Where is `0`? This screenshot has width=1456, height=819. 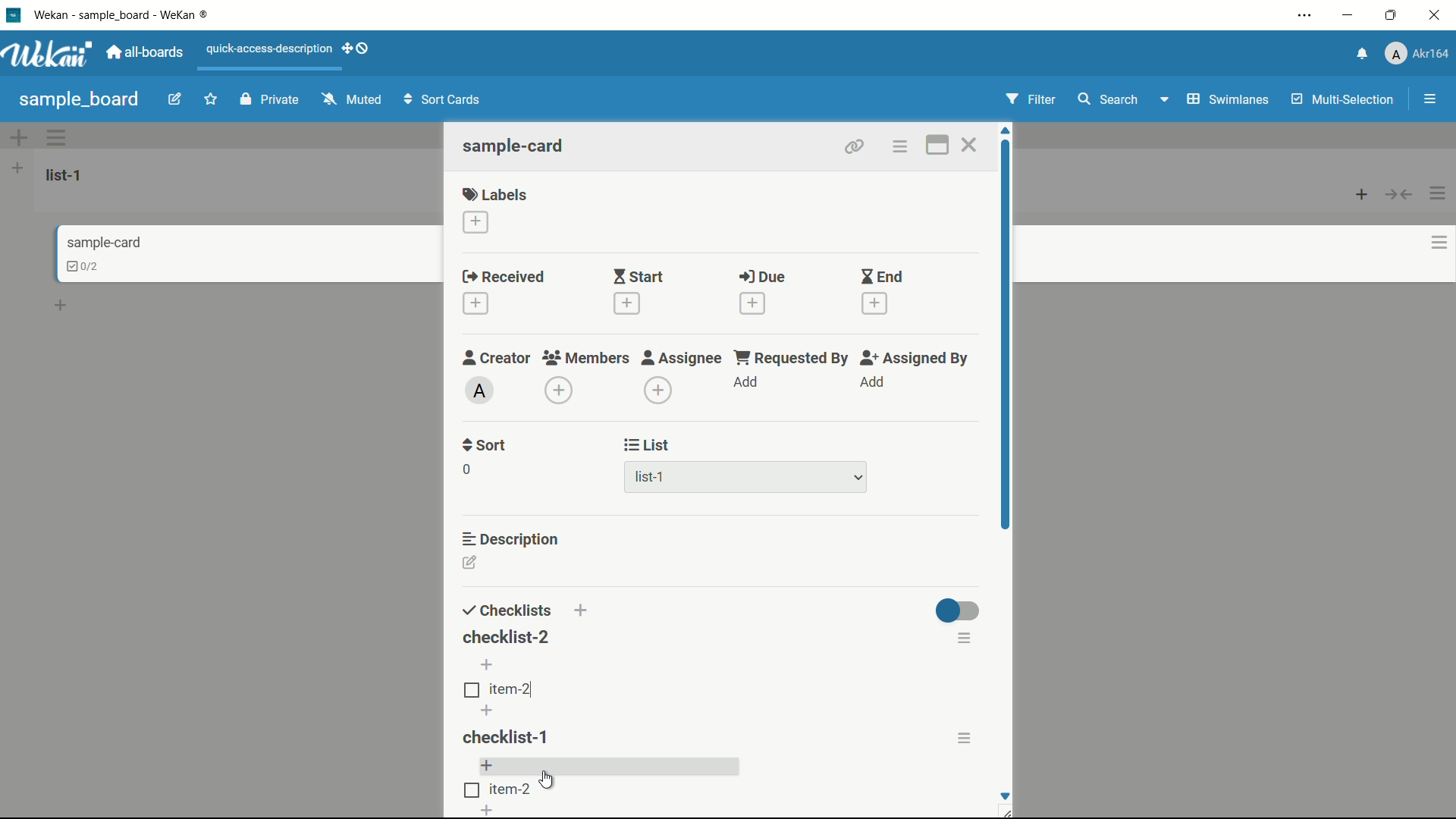
0 is located at coordinates (466, 469).